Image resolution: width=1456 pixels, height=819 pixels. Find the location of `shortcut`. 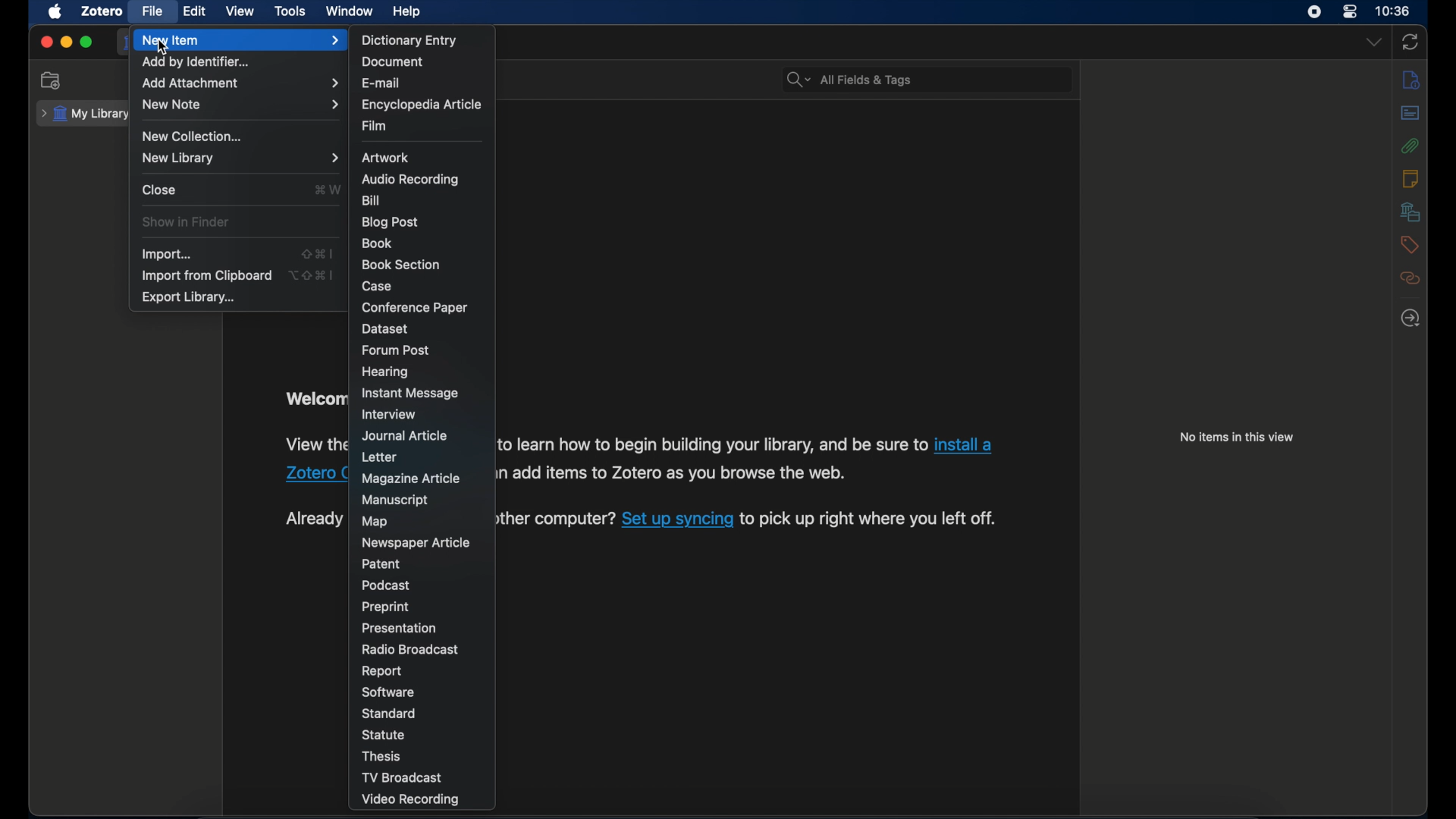

shortcut is located at coordinates (312, 275).